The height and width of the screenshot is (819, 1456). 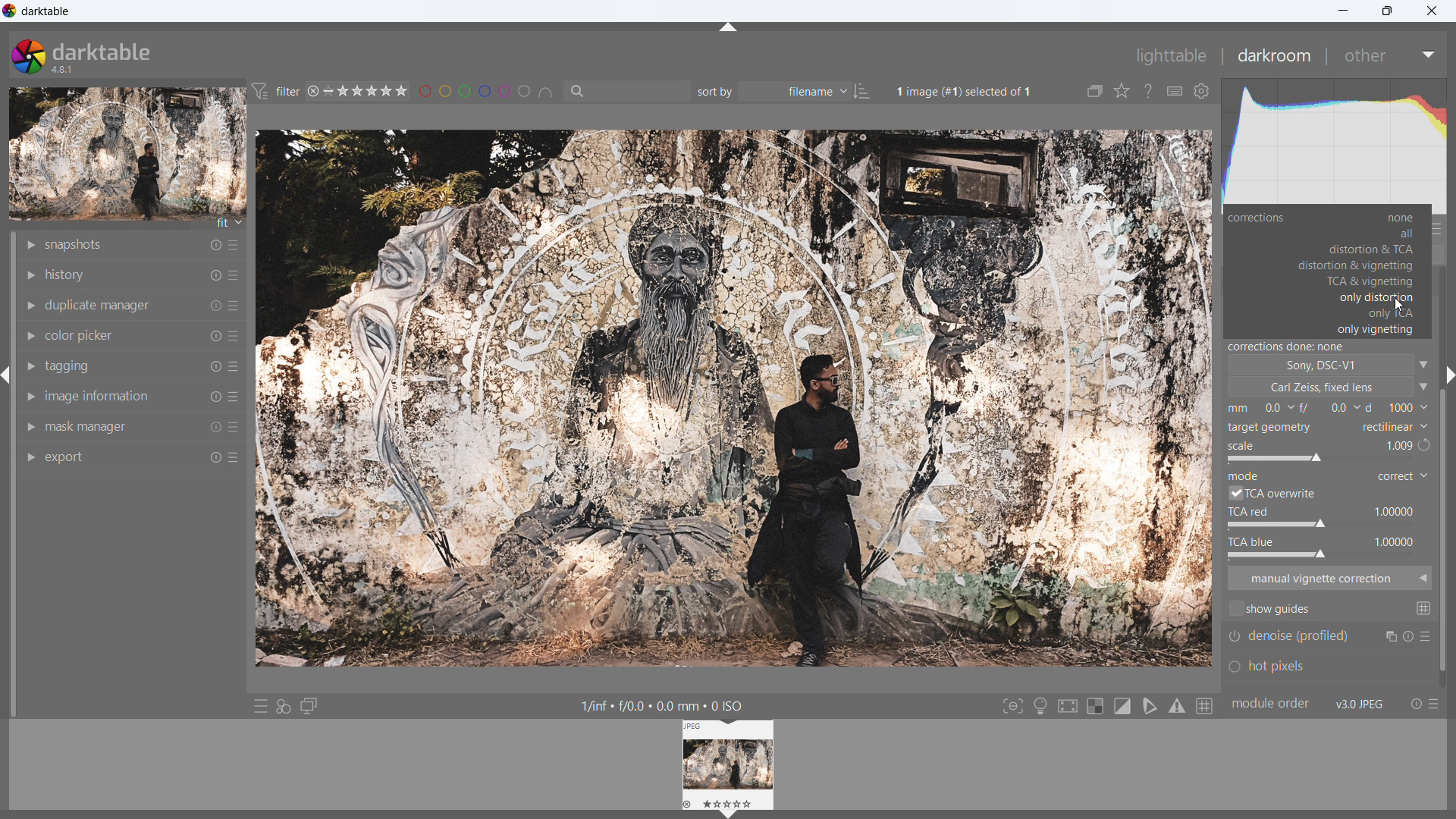 I want to click on histogram, so click(x=1335, y=145).